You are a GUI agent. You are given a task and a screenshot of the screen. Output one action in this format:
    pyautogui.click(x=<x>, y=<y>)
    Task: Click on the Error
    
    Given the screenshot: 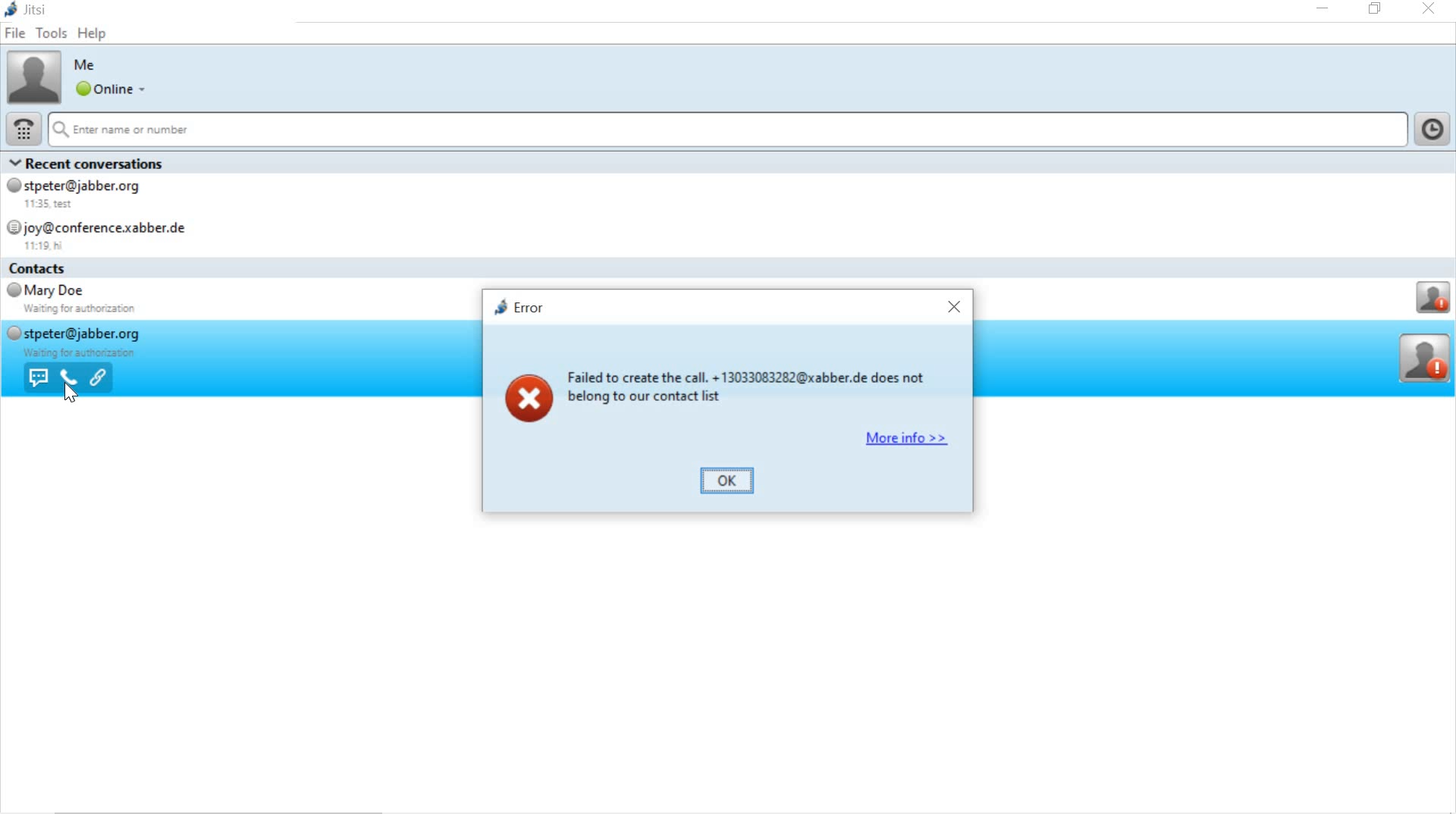 What is the action you would take?
    pyautogui.click(x=515, y=306)
    